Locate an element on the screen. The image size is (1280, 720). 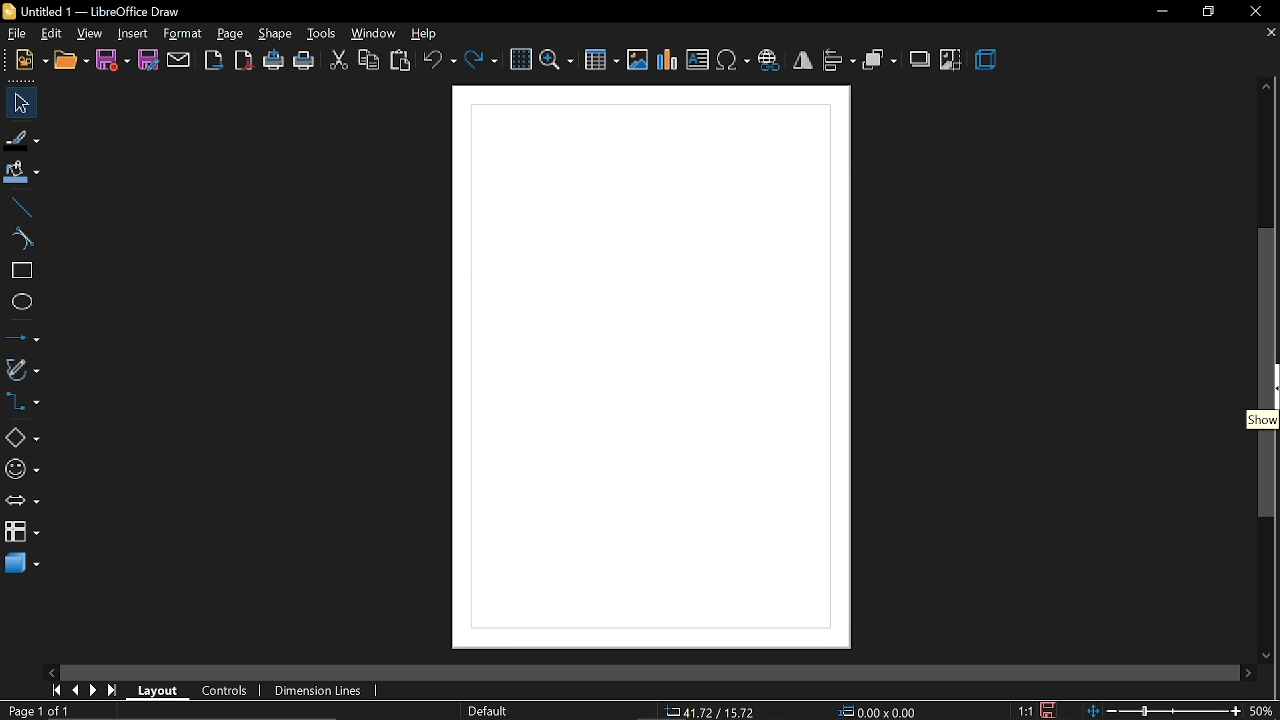
3d shapes is located at coordinates (22, 565).